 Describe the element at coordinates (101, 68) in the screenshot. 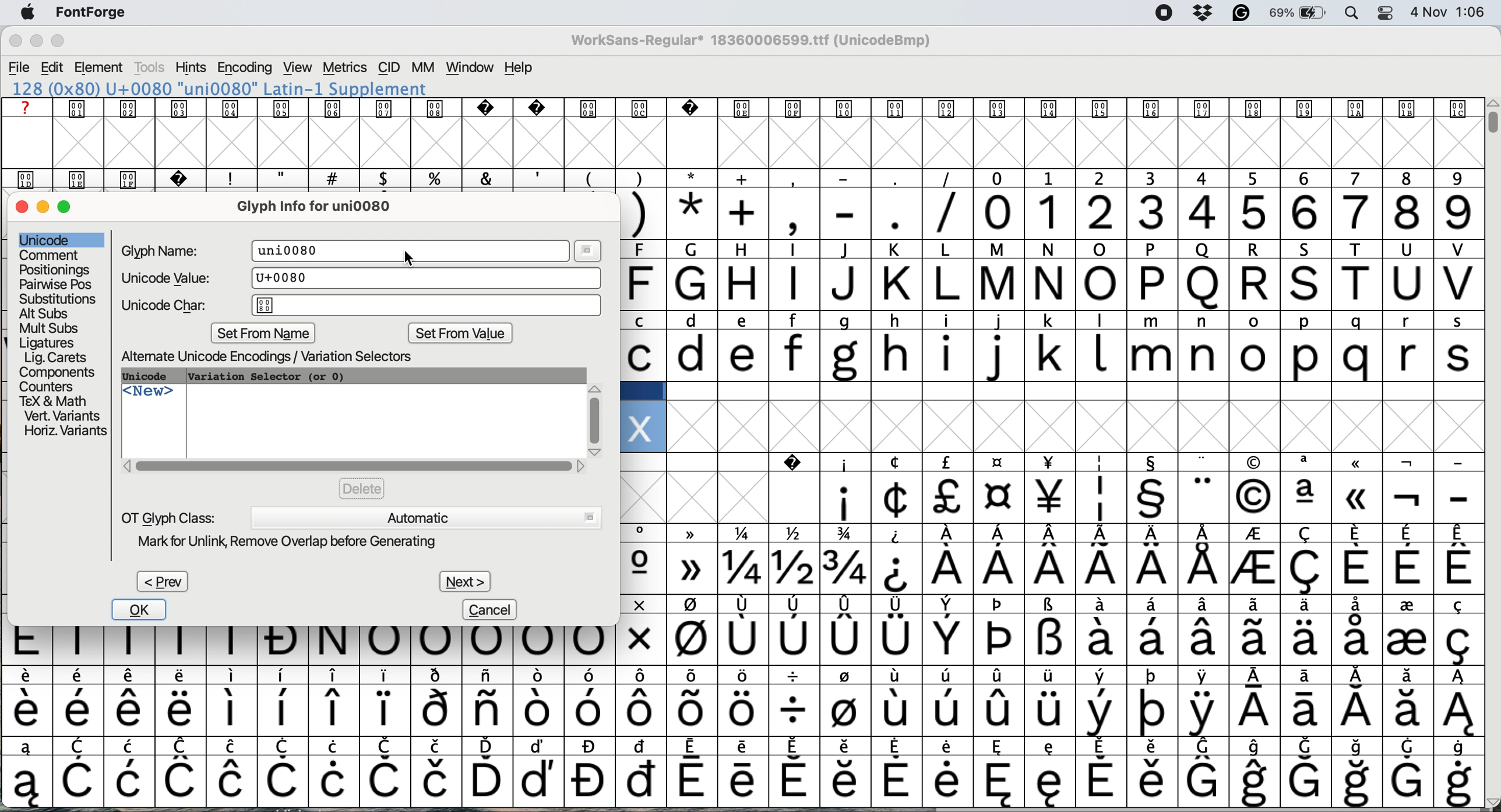

I see `element` at that location.